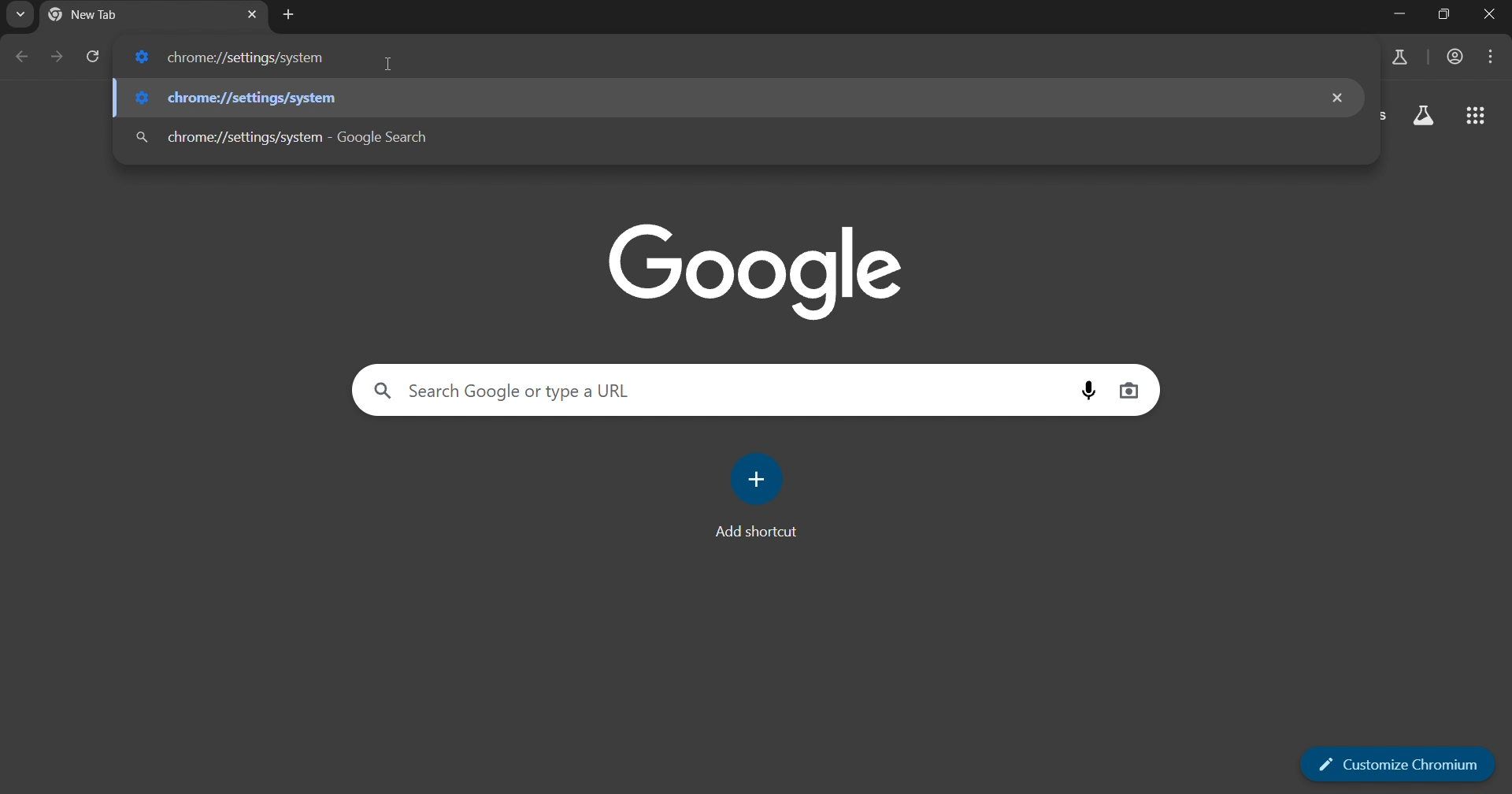  What do you see at coordinates (289, 15) in the screenshot?
I see `new tab` at bounding box center [289, 15].